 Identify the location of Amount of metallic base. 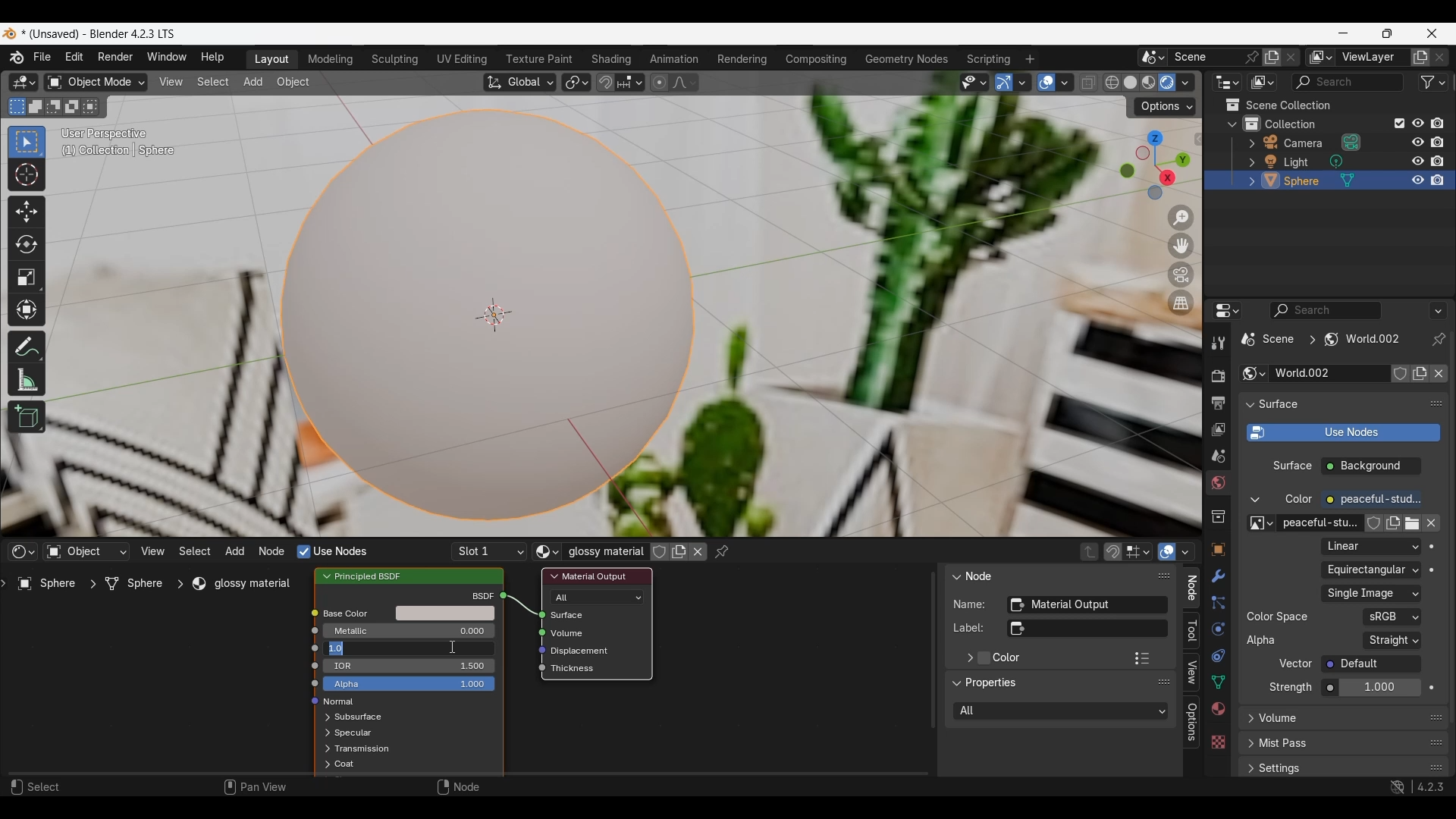
(409, 631).